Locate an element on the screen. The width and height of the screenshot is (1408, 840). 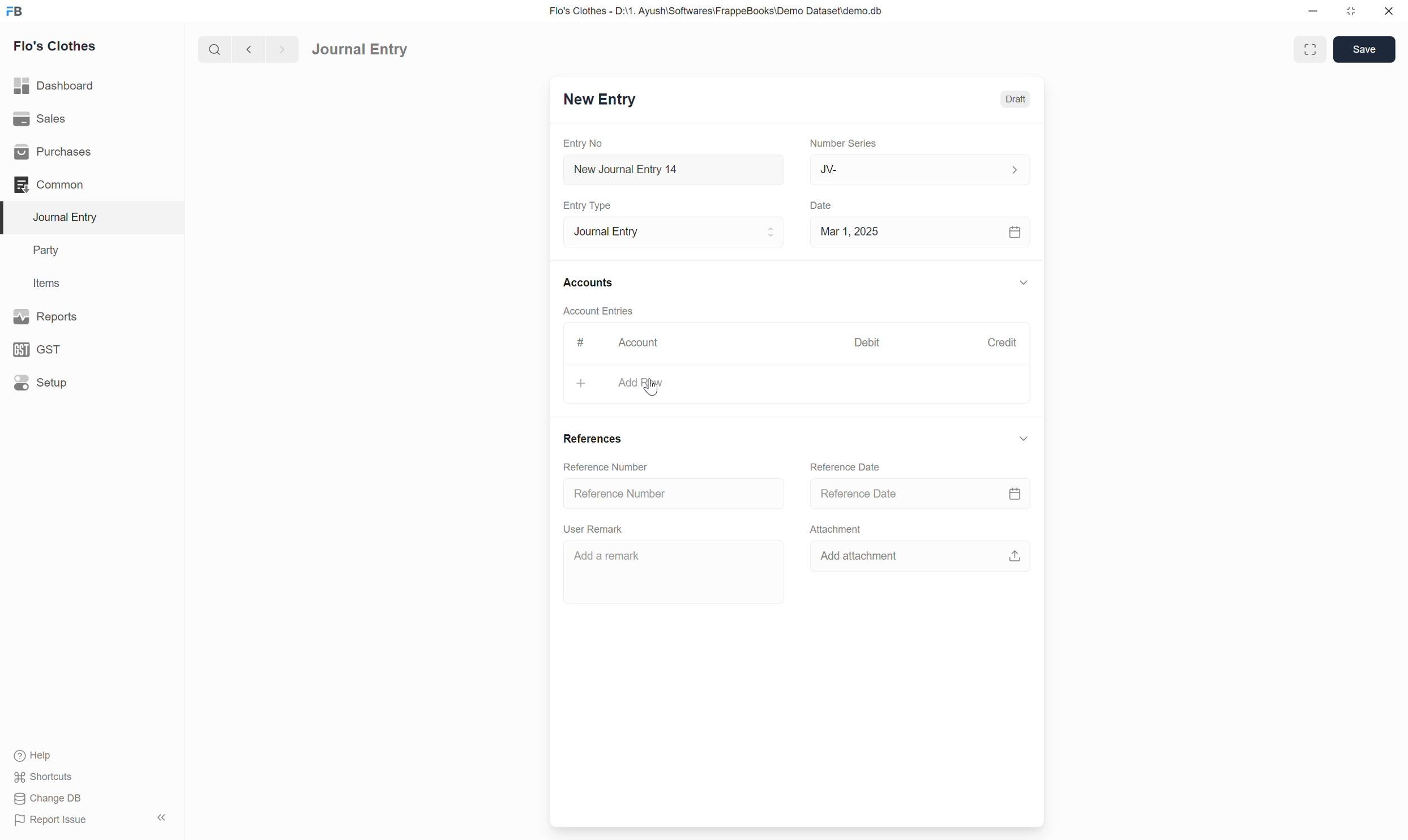
Purchases is located at coordinates (56, 152).